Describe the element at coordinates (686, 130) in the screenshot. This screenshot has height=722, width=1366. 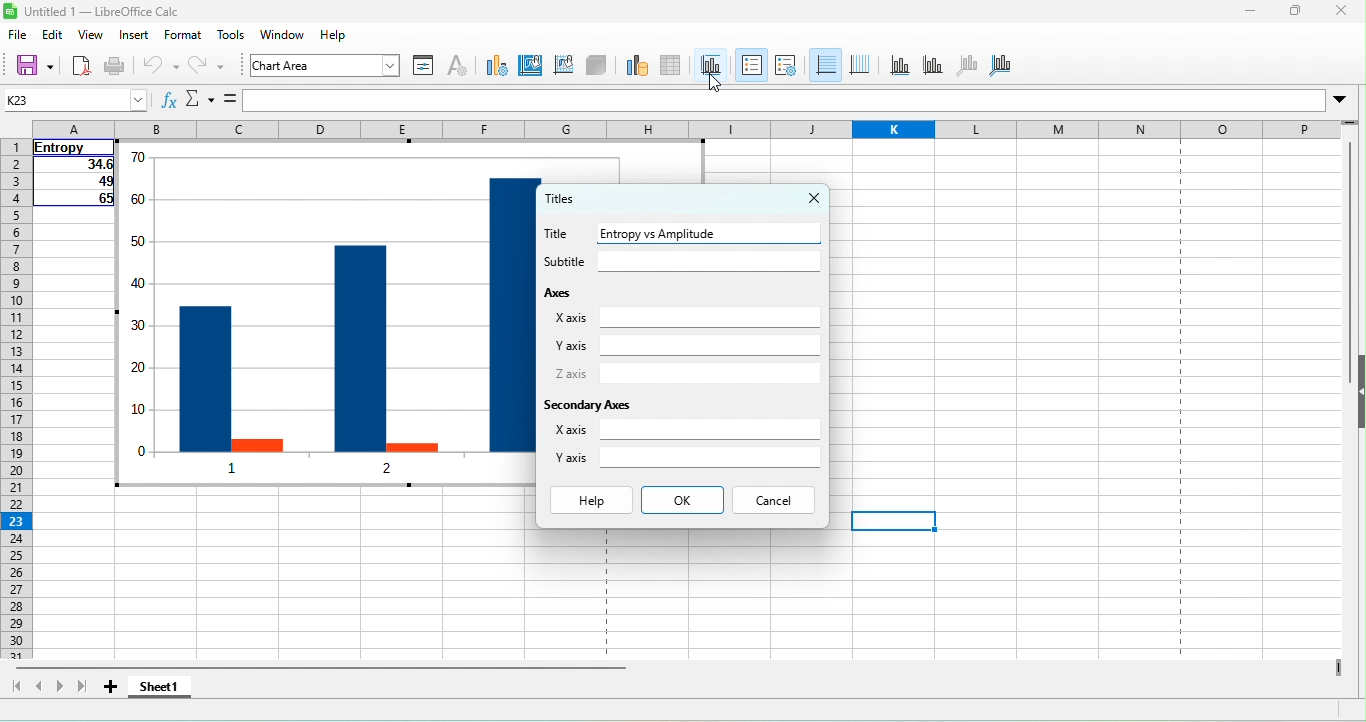
I see `column headings` at that location.